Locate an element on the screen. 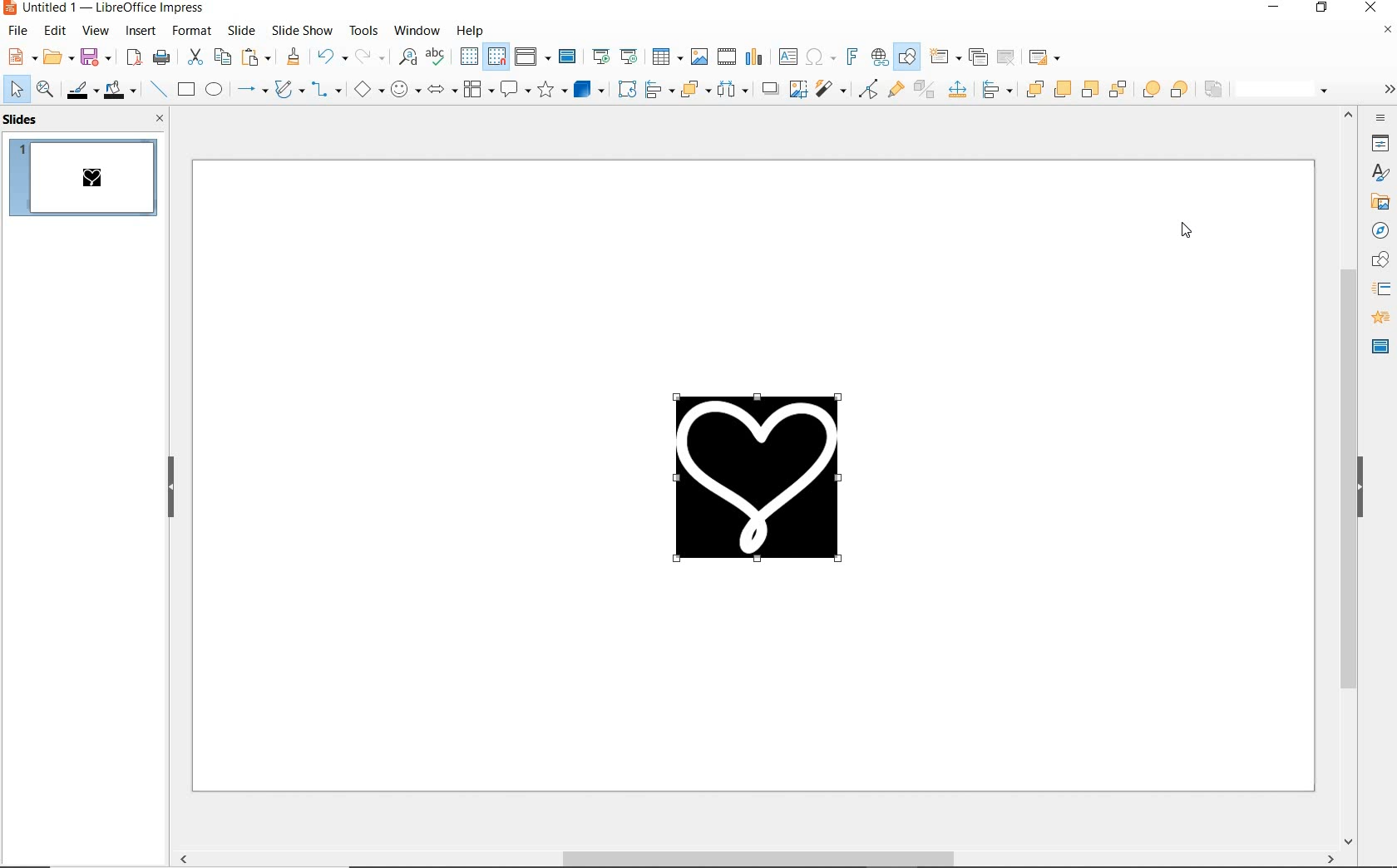  start from current slide is located at coordinates (629, 57).